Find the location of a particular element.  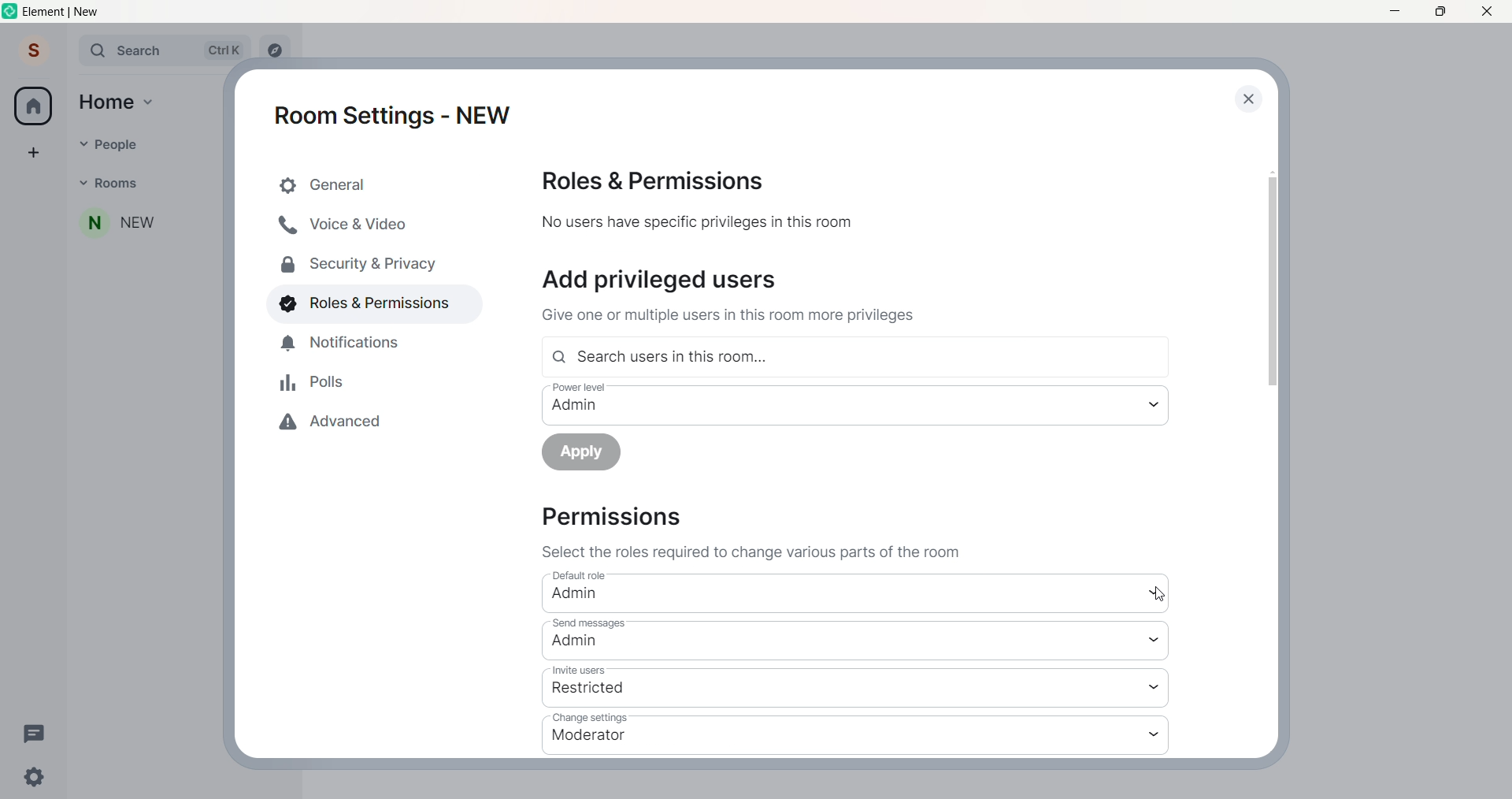

home is located at coordinates (34, 105).